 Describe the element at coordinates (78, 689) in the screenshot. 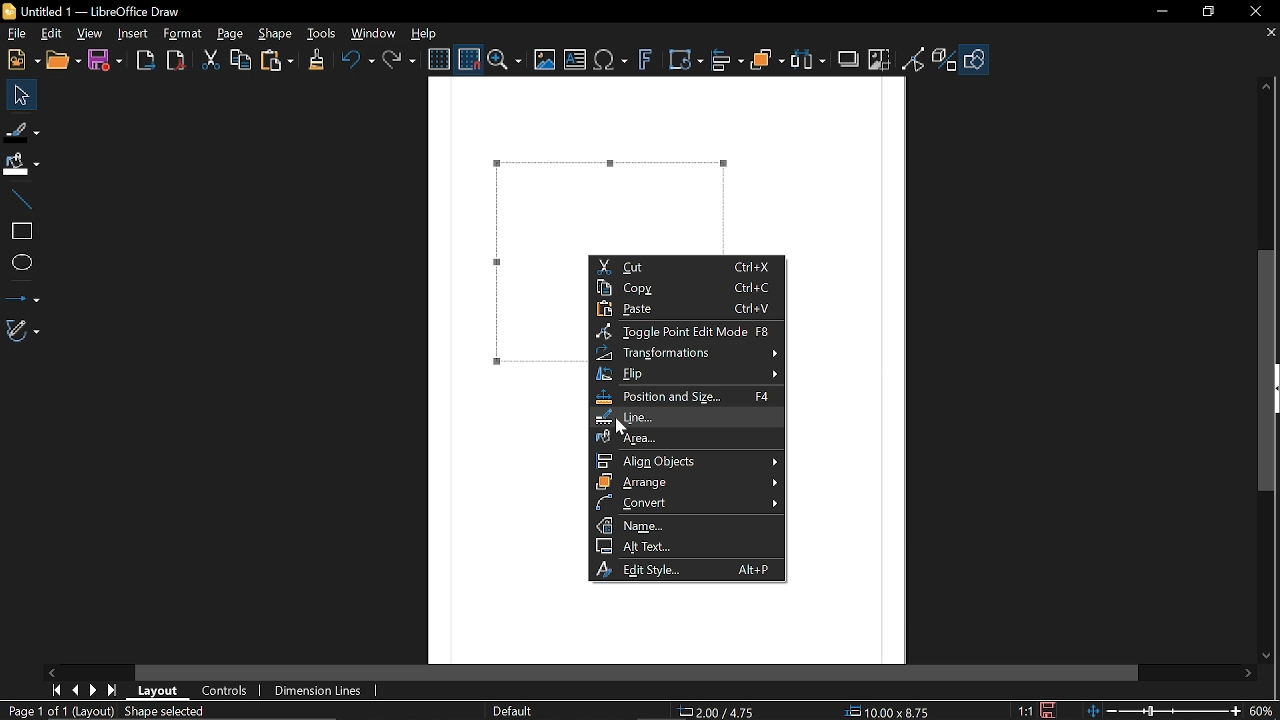

I see `Previous page` at that location.